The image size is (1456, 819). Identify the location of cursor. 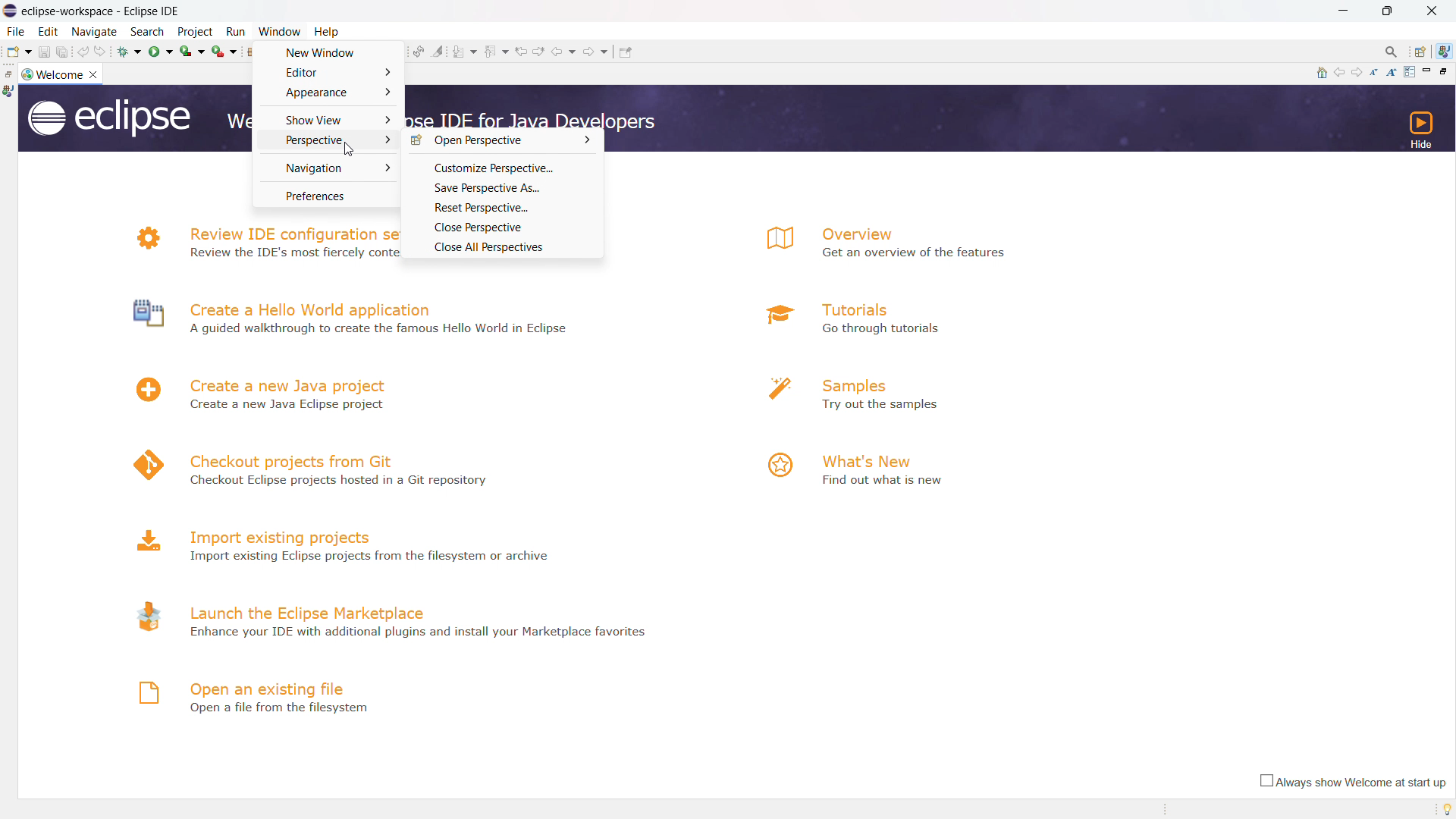
(348, 149).